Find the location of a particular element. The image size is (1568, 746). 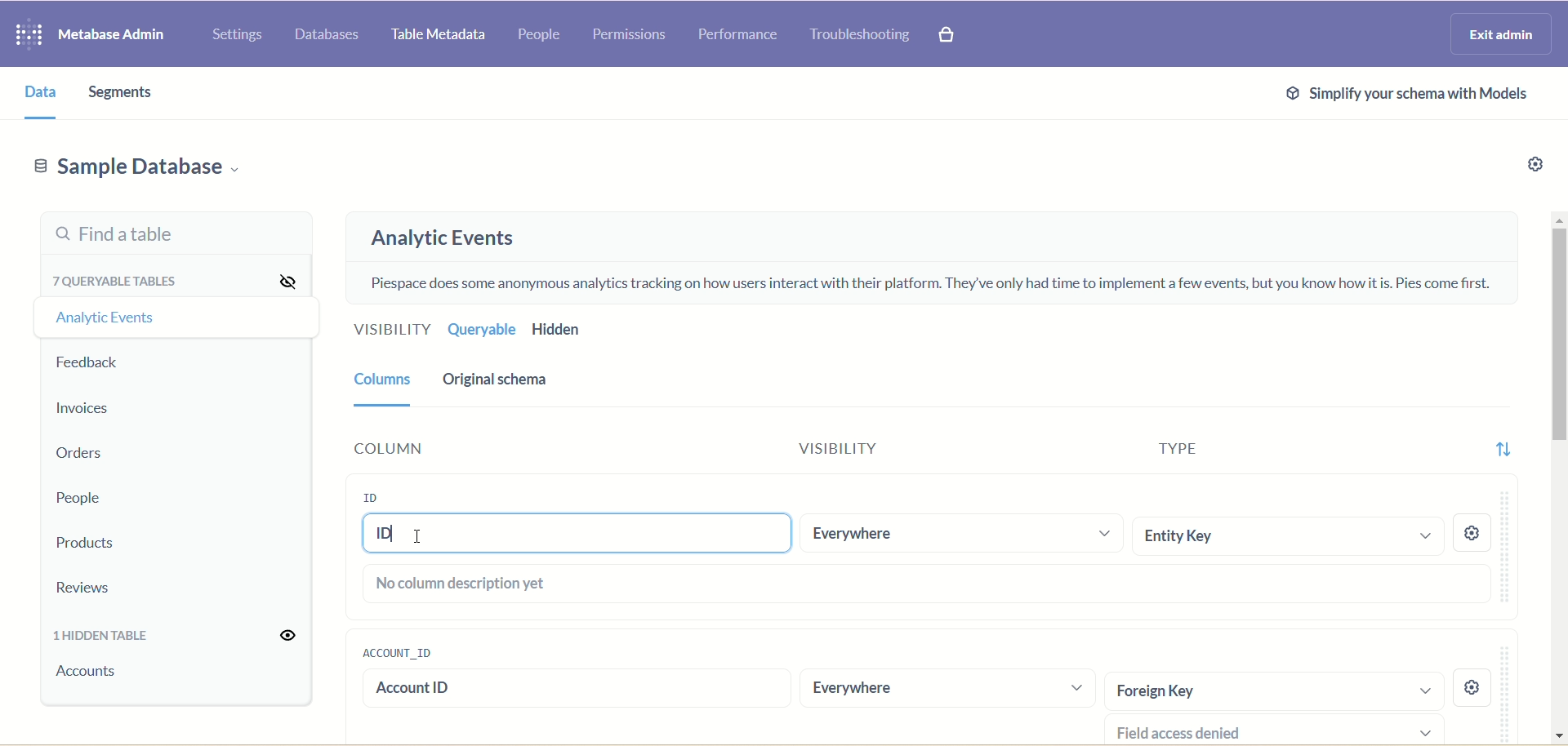

Sample database is located at coordinates (154, 168).